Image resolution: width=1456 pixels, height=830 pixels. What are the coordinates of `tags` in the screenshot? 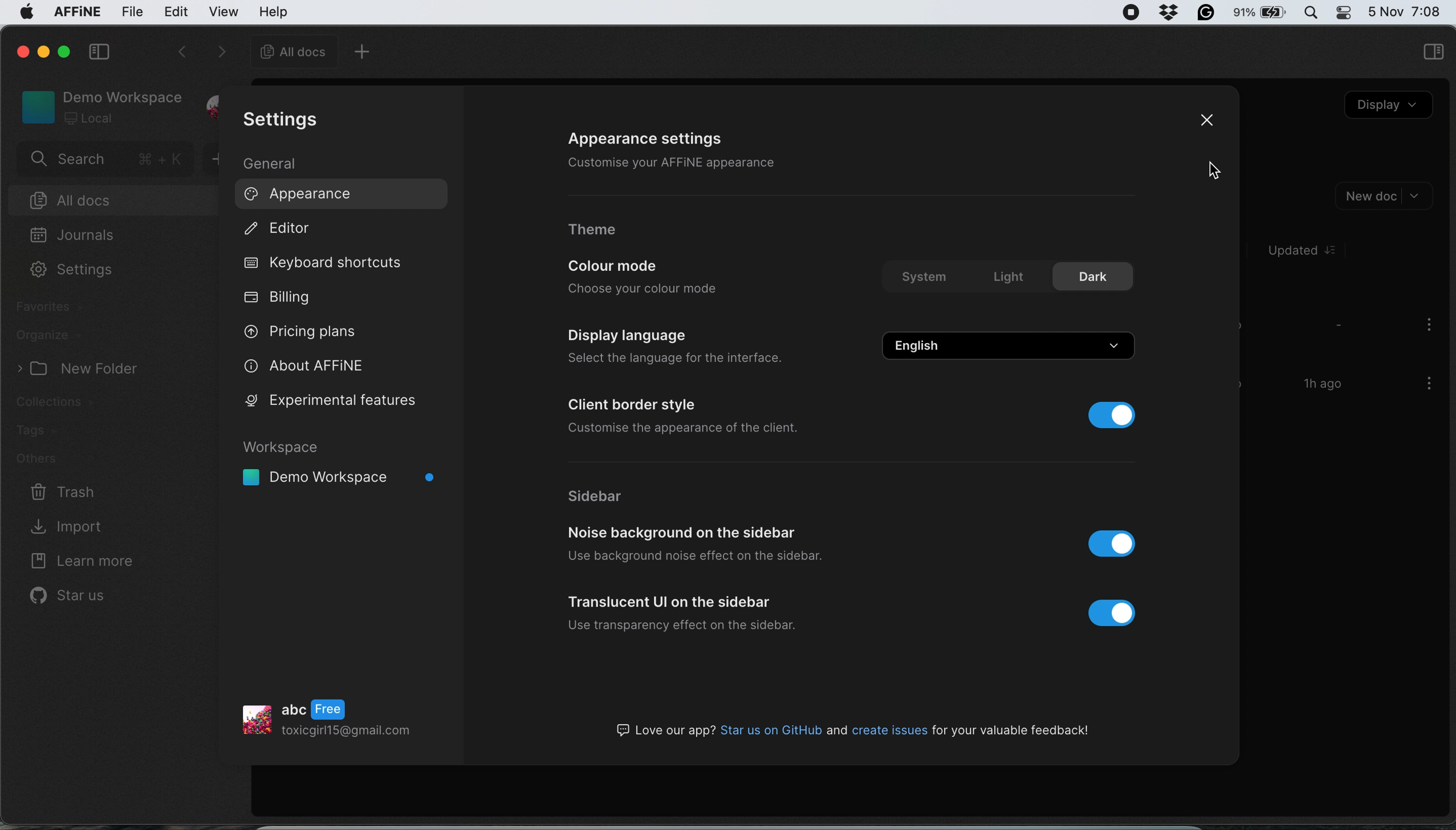 It's located at (39, 432).